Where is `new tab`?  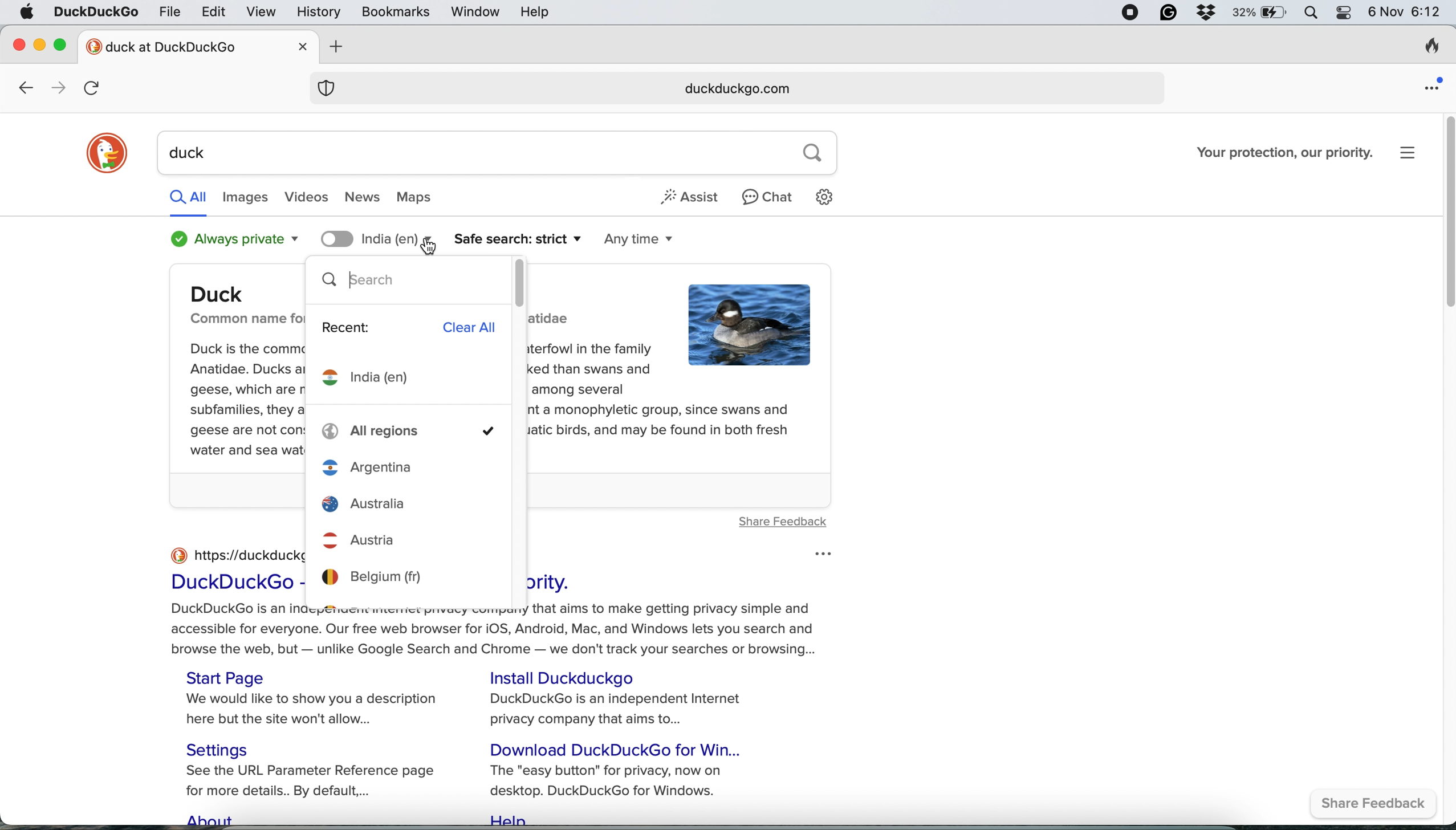
new tab is located at coordinates (186, 46).